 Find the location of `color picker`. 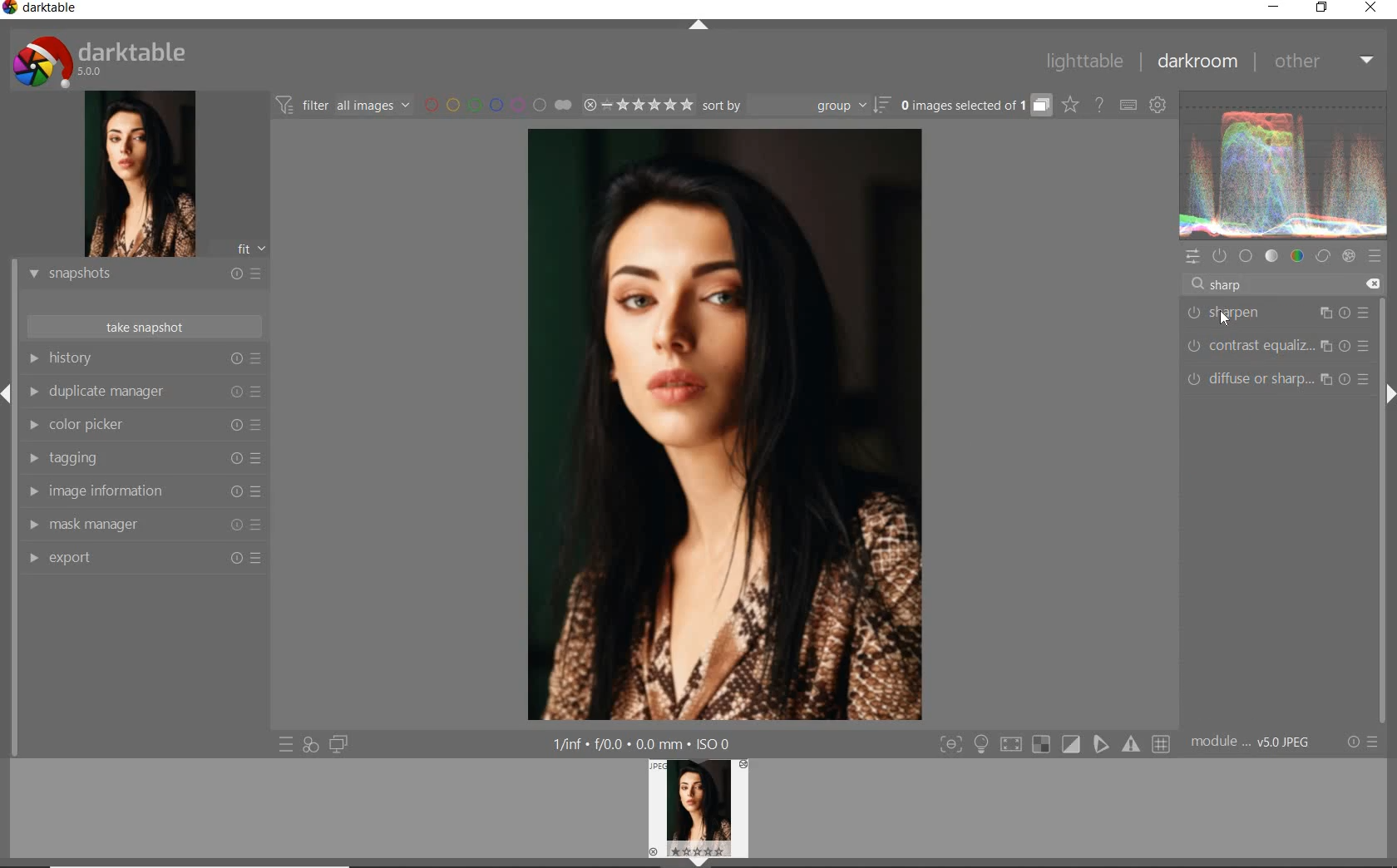

color picker is located at coordinates (144, 426).